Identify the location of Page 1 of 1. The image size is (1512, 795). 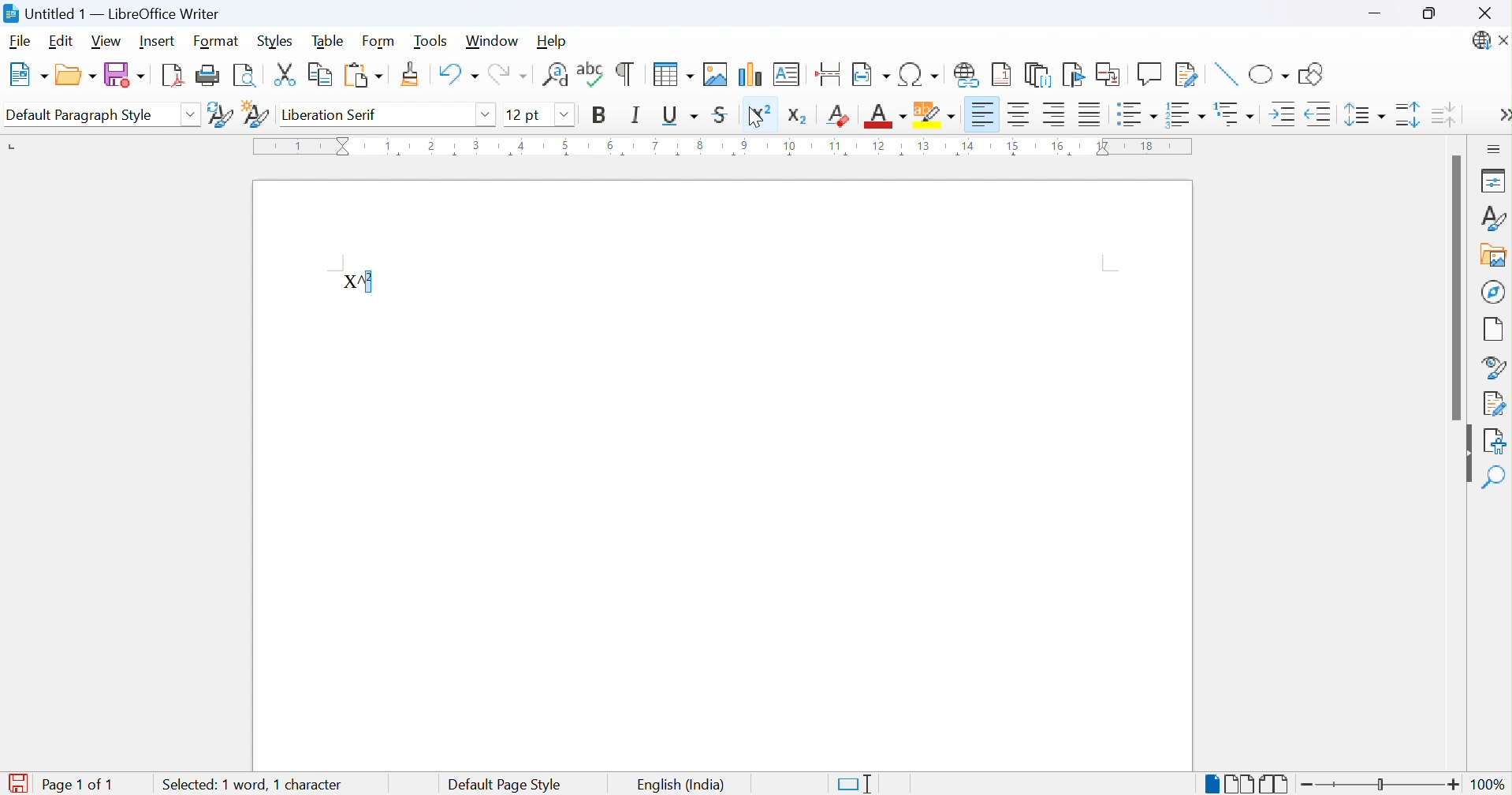
(58, 785).